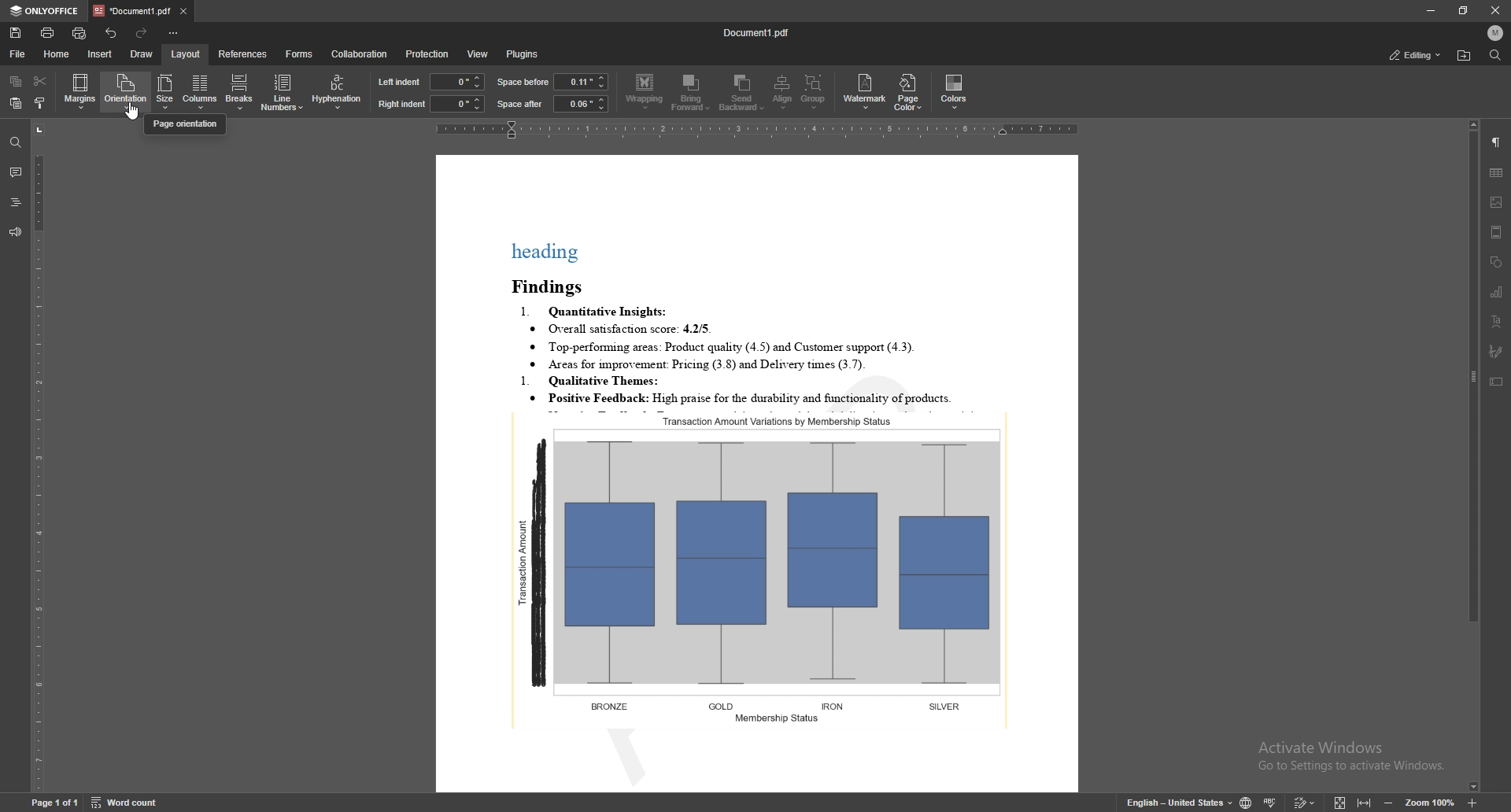  Describe the element at coordinates (1497, 292) in the screenshot. I see `chart` at that location.